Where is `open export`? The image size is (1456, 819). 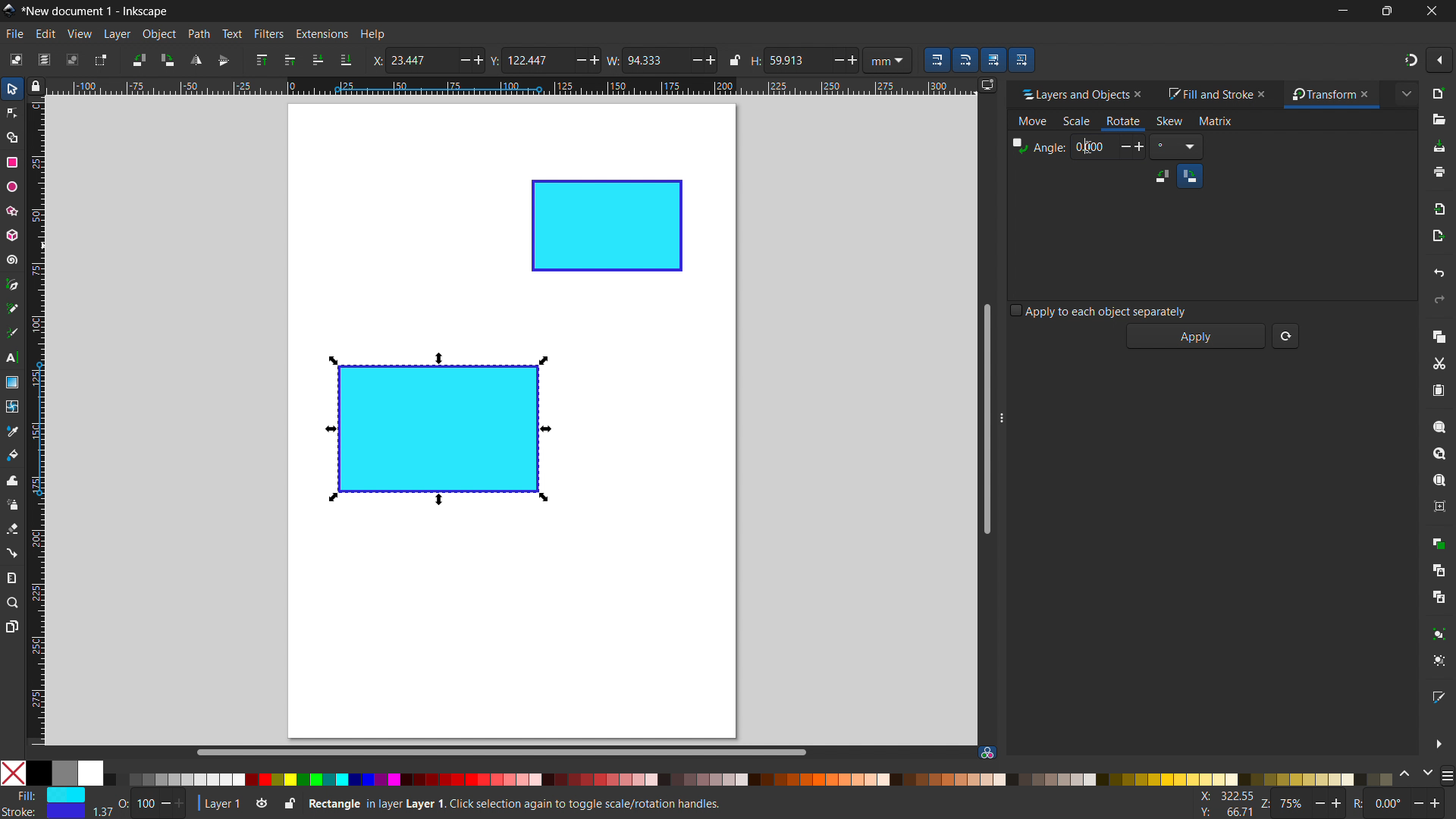 open export is located at coordinates (1438, 235).